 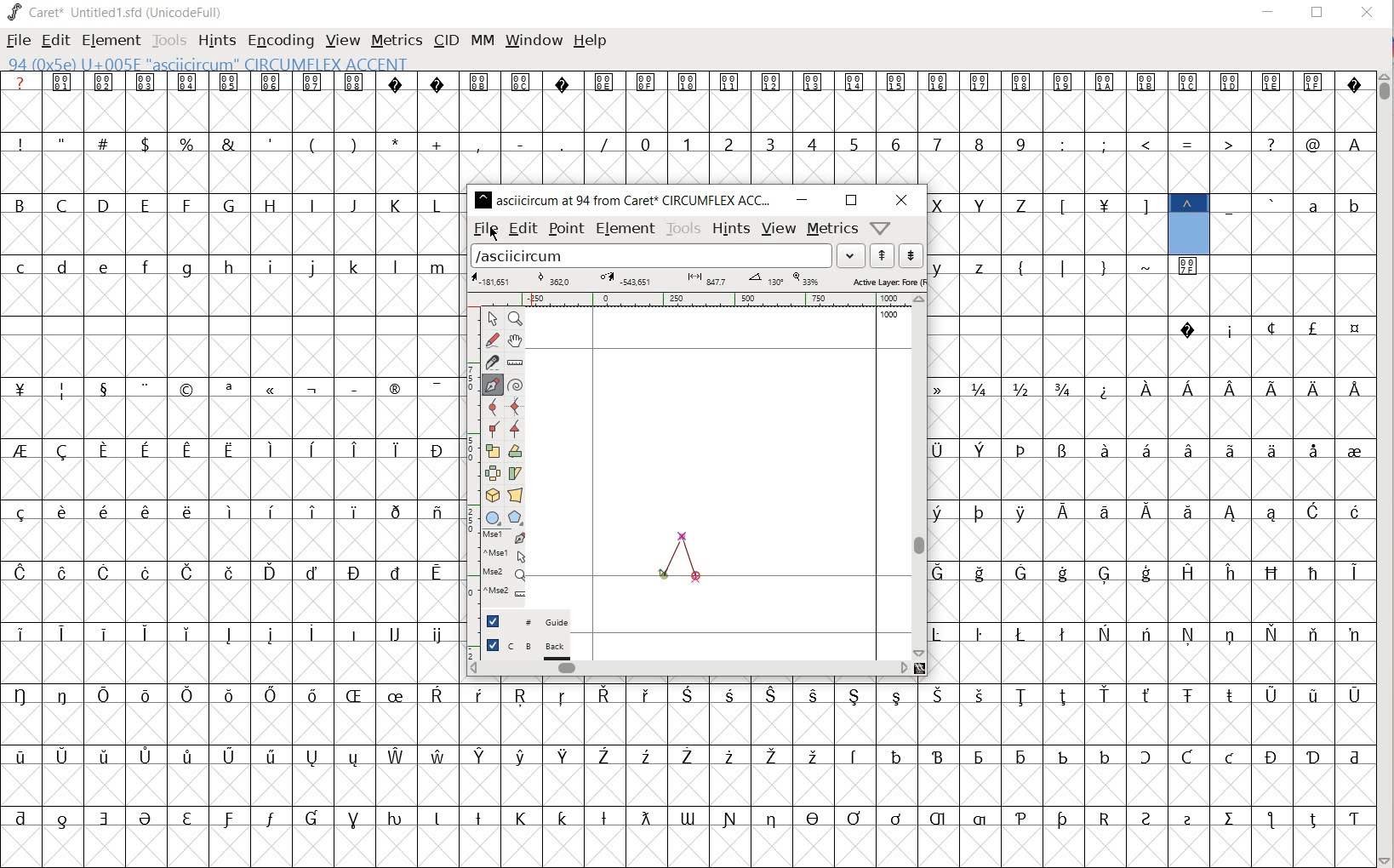 What do you see at coordinates (518, 319) in the screenshot?
I see `MAGNIFY` at bounding box center [518, 319].